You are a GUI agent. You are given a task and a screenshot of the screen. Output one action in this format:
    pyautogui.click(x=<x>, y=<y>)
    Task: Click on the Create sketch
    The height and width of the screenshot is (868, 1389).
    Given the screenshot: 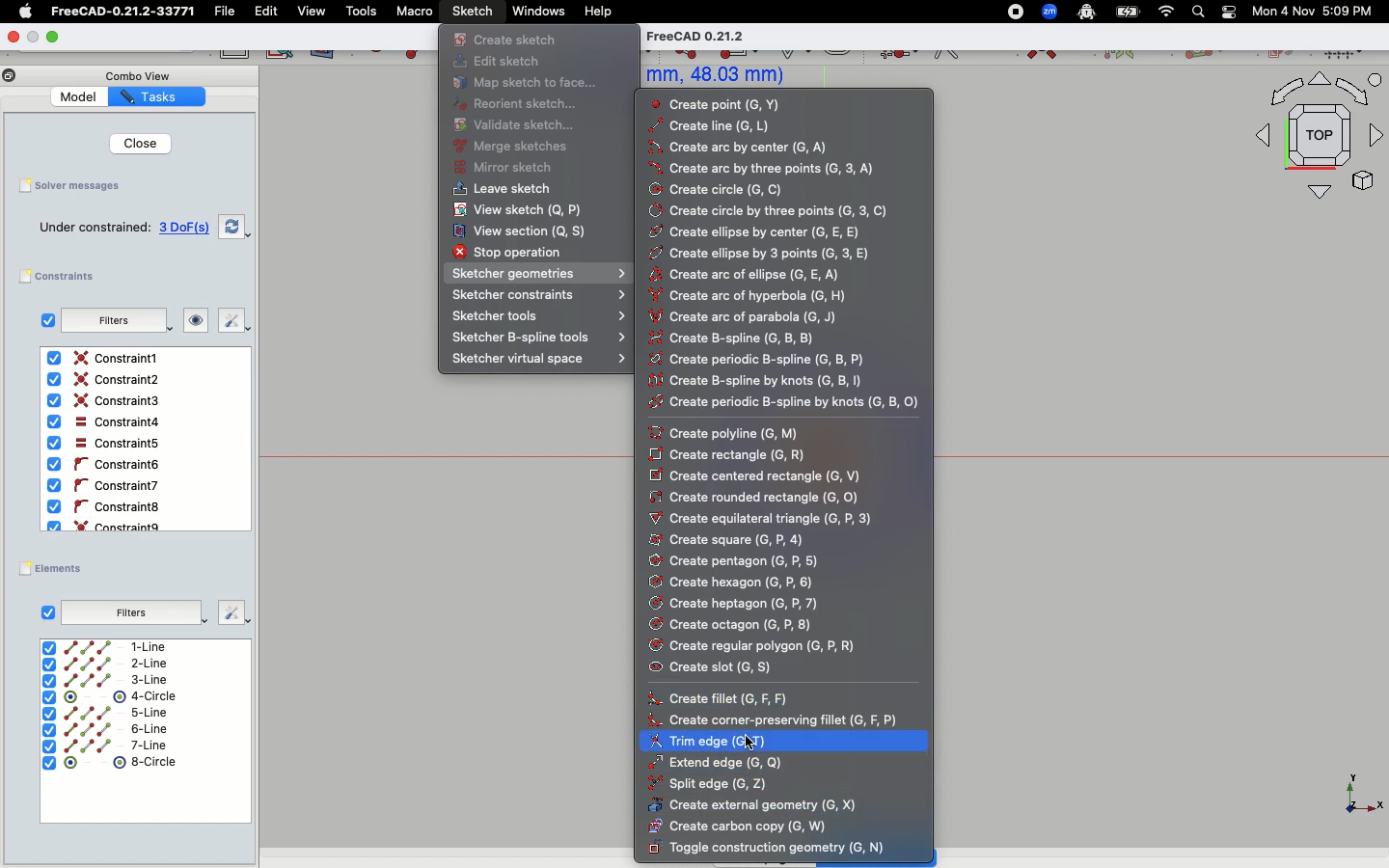 What is the action you would take?
    pyautogui.click(x=509, y=41)
    